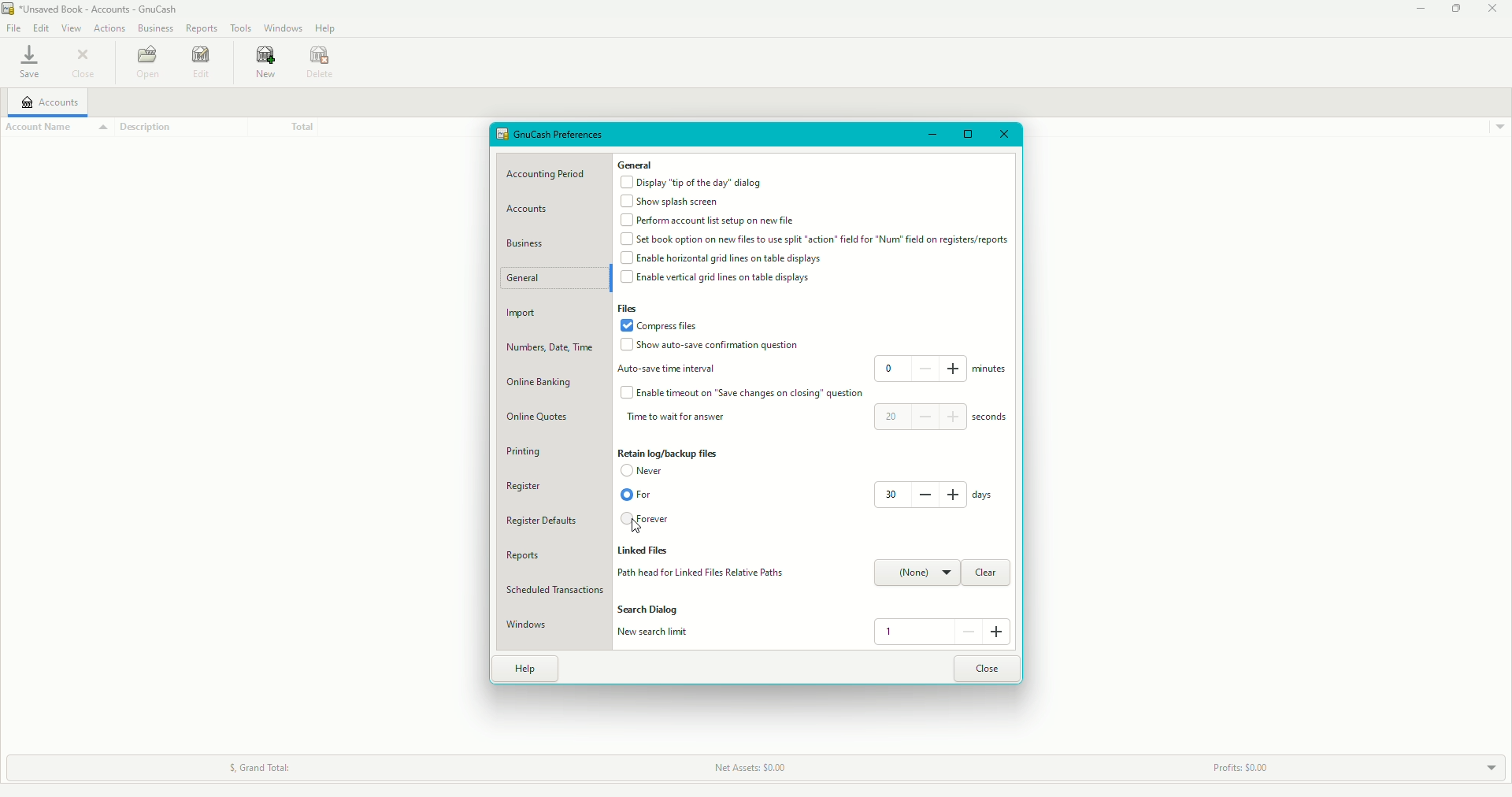 This screenshot has width=1512, height=797. Describe the element at coordinates (636, 495) in the screenshot. I see `For` at that location.